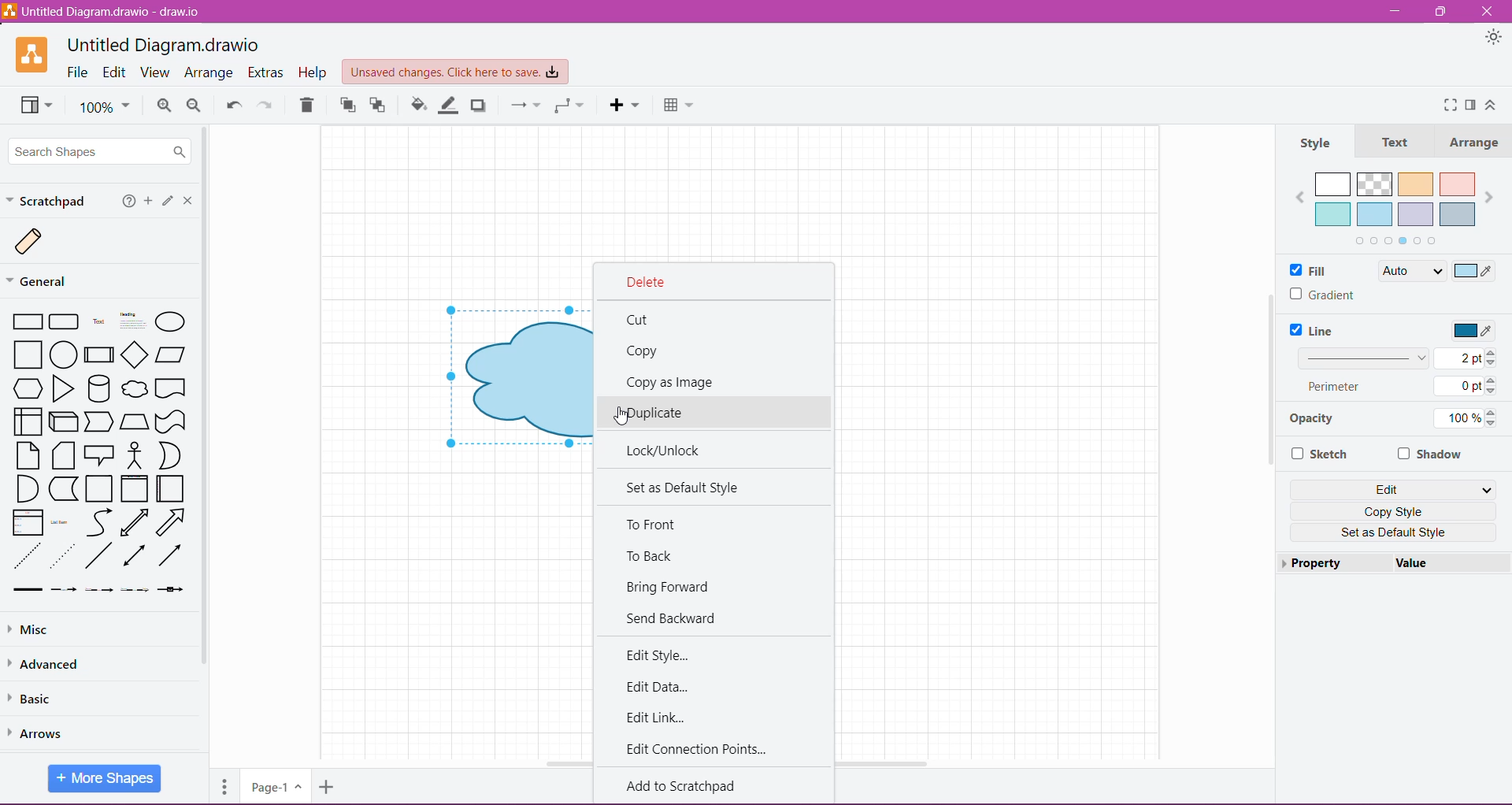  I want to click on To Back, so click(654, 557).